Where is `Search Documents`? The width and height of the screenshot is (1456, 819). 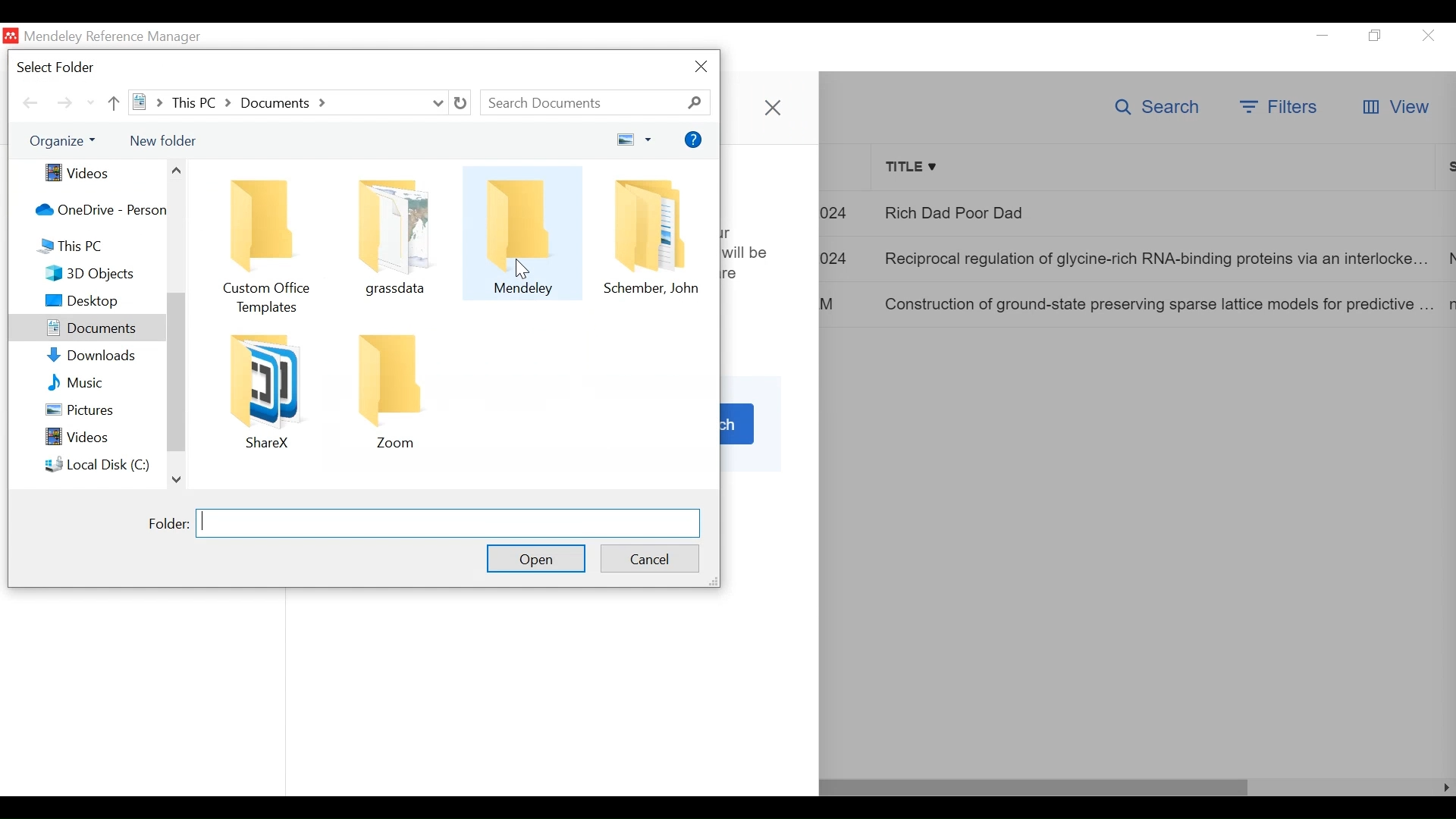 Search Documents is located at coordinates (595, 103).